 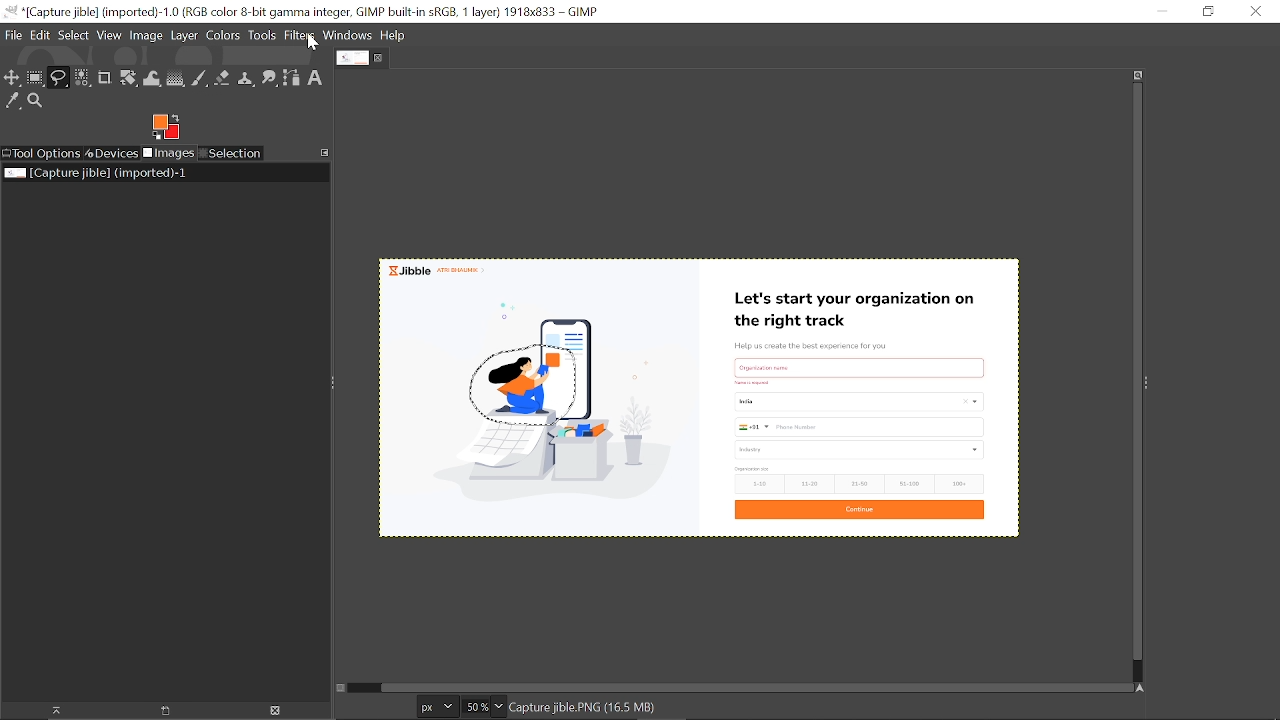 What do you see at coordinates (50, 711) in the screenshot?
I see `Raise dispaly` at bounding box center [50, 711].